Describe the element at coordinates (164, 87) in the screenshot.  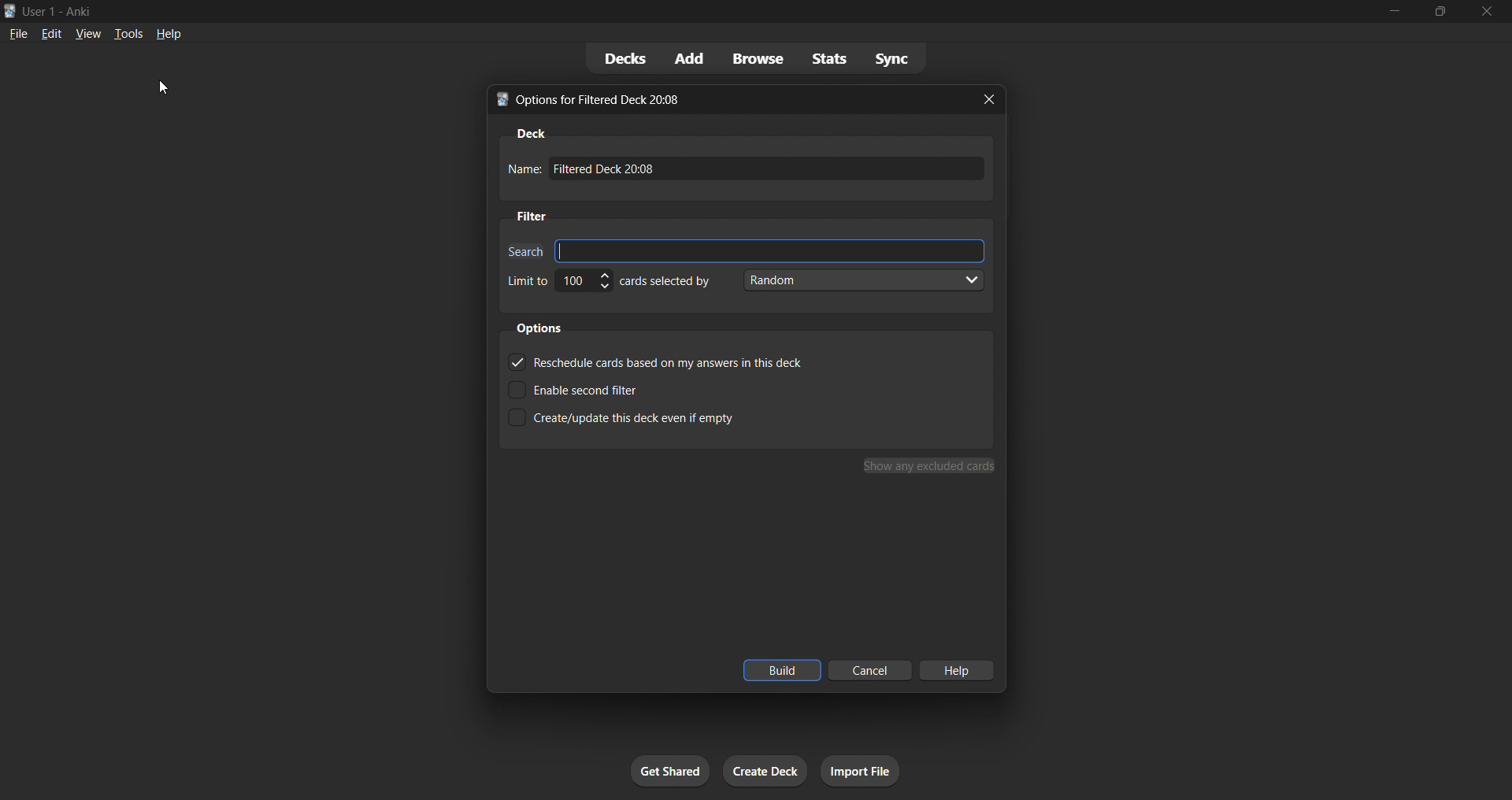
I see `Cursor` at that location.